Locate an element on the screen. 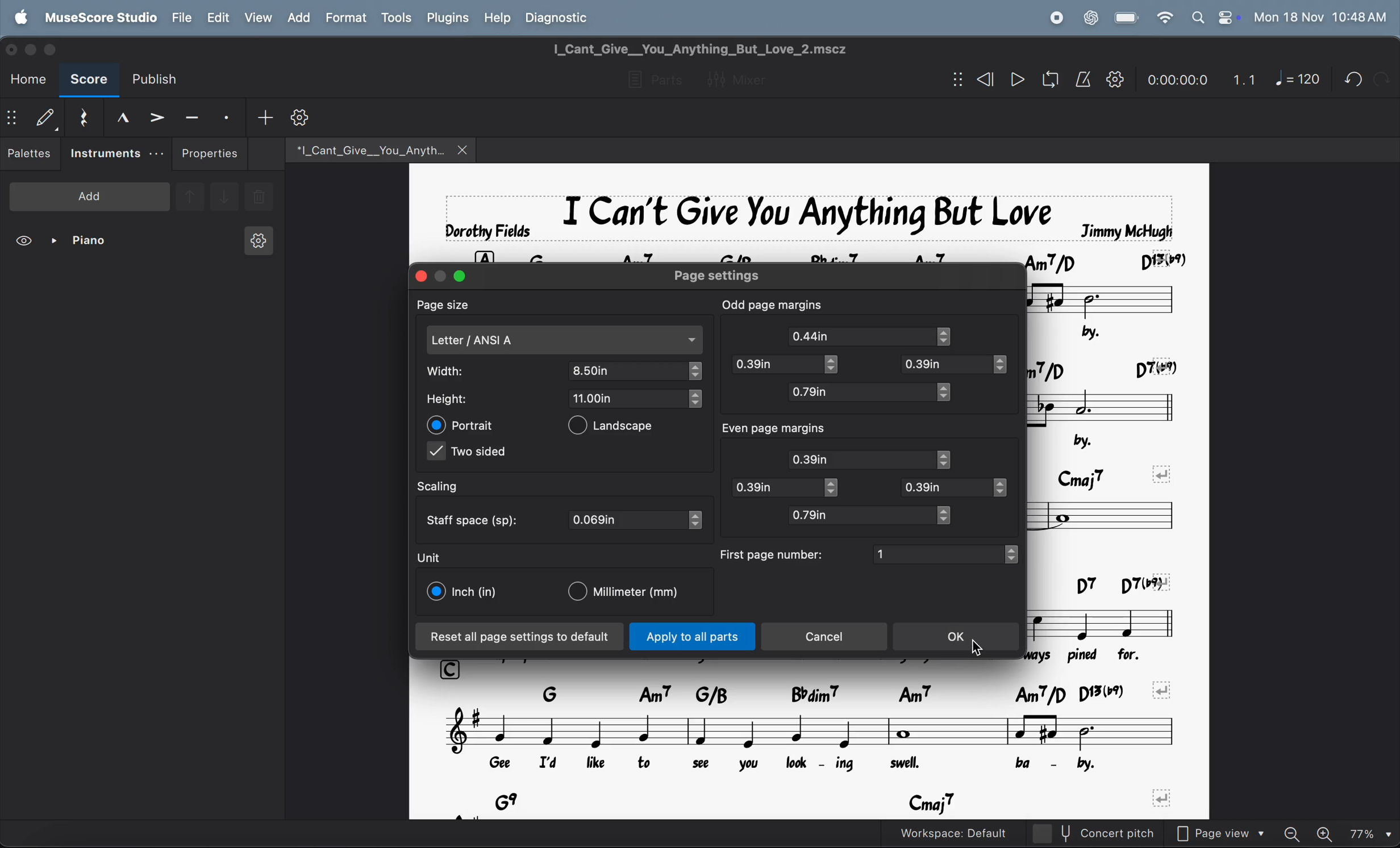  diagnostic is located at coordinates (563, 17).